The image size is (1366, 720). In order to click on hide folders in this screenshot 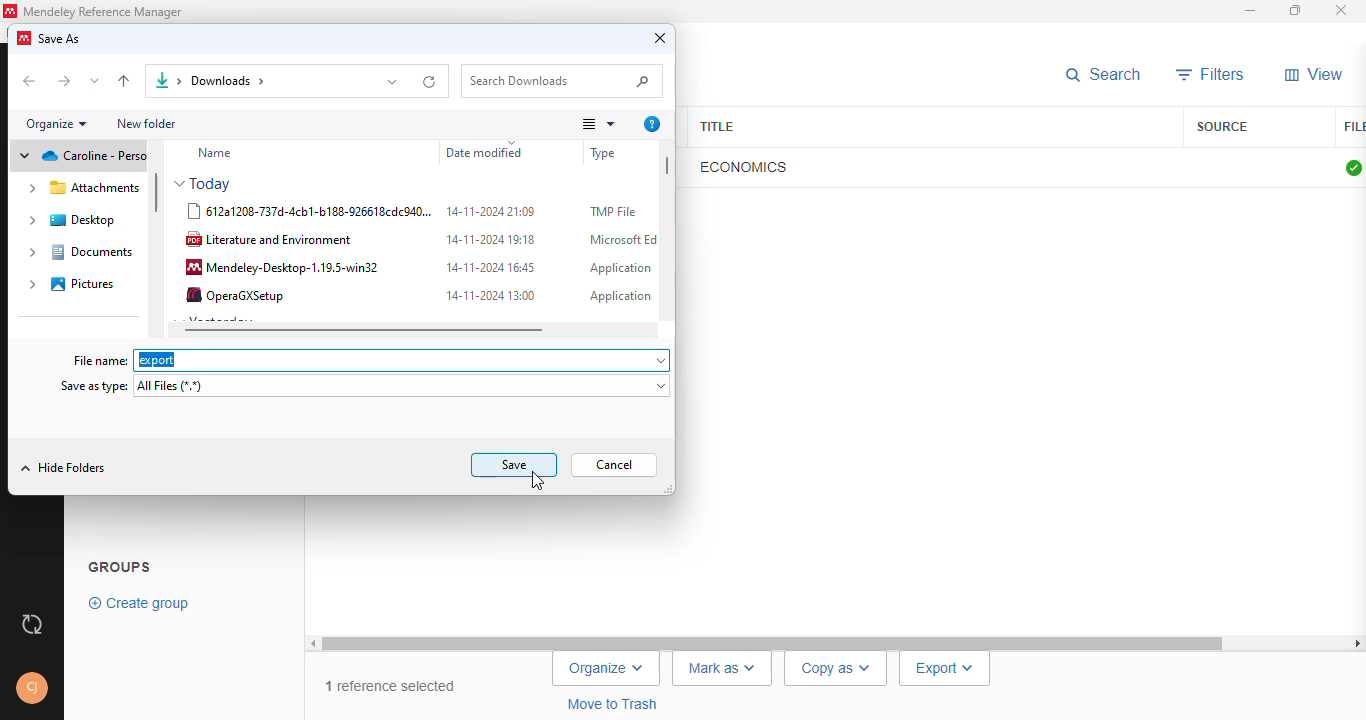, I will do `click(62, 467)`.